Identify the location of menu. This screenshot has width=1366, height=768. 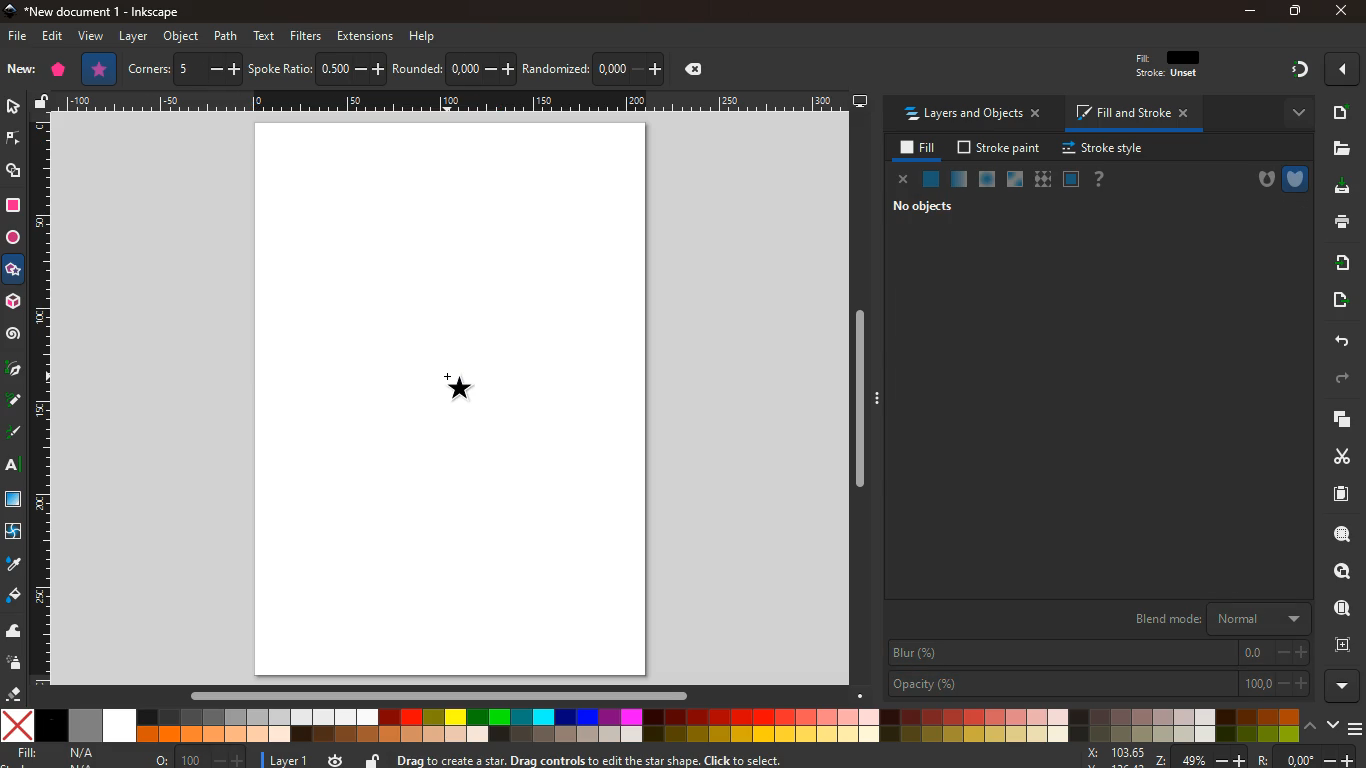
(1356, 728).